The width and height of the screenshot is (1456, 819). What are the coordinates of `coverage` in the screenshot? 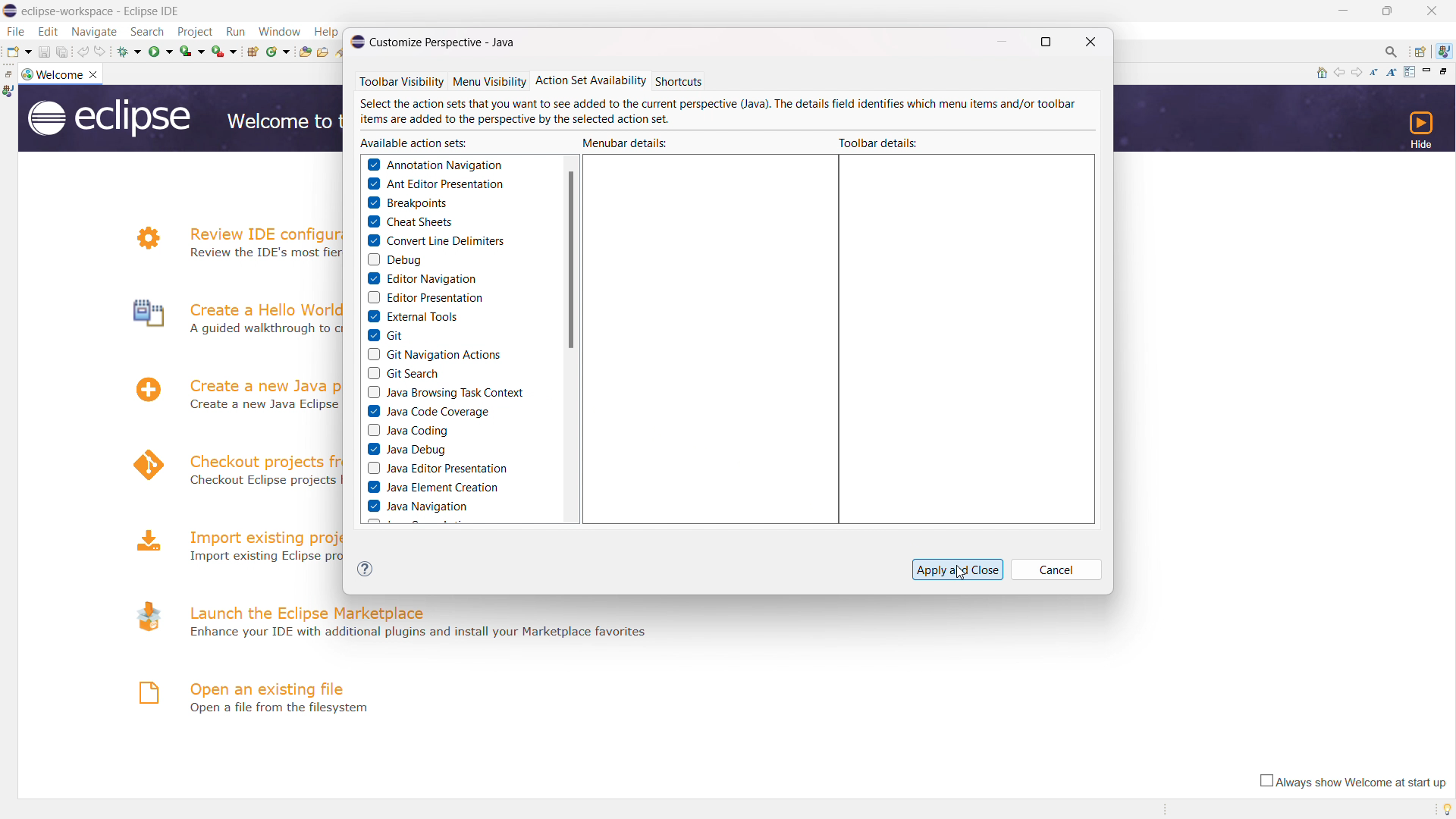 It's located at (192, 51).